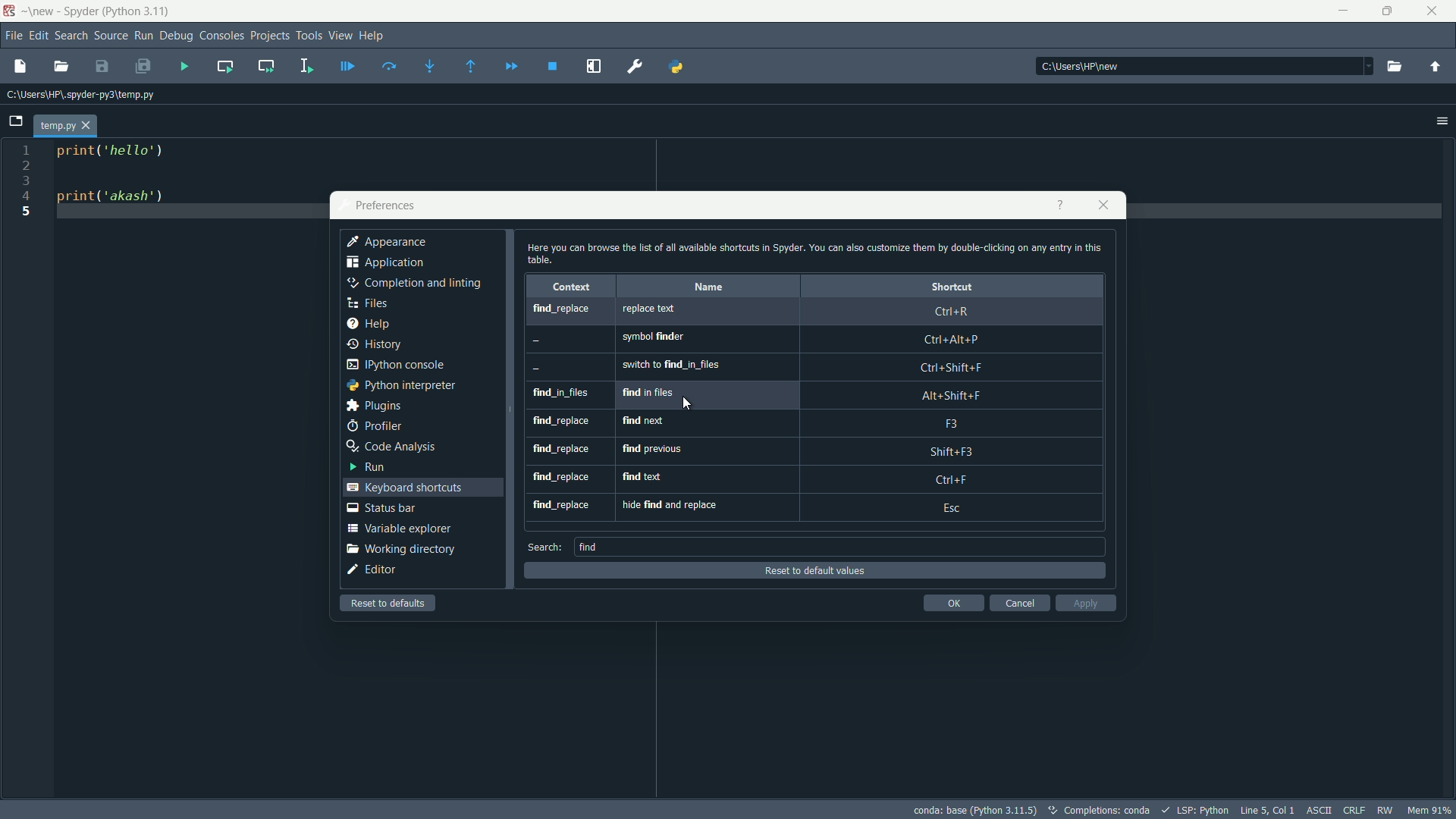  What do you see at coordinates (103, 67) in the screenshot?
I see `save file` at bounding box center [103, 67].